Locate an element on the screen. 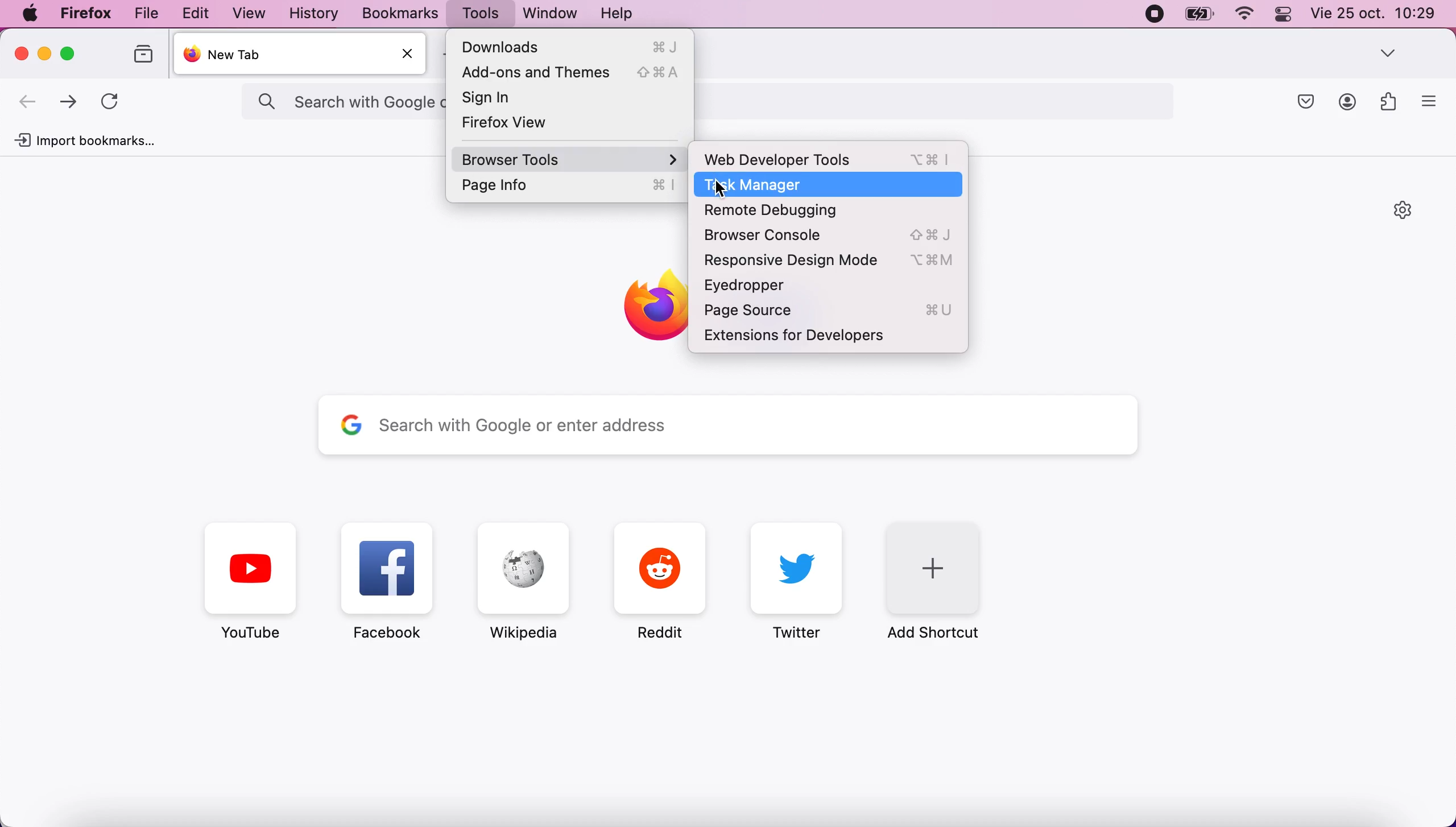  Browser Console is located at coordinates (832, 235).